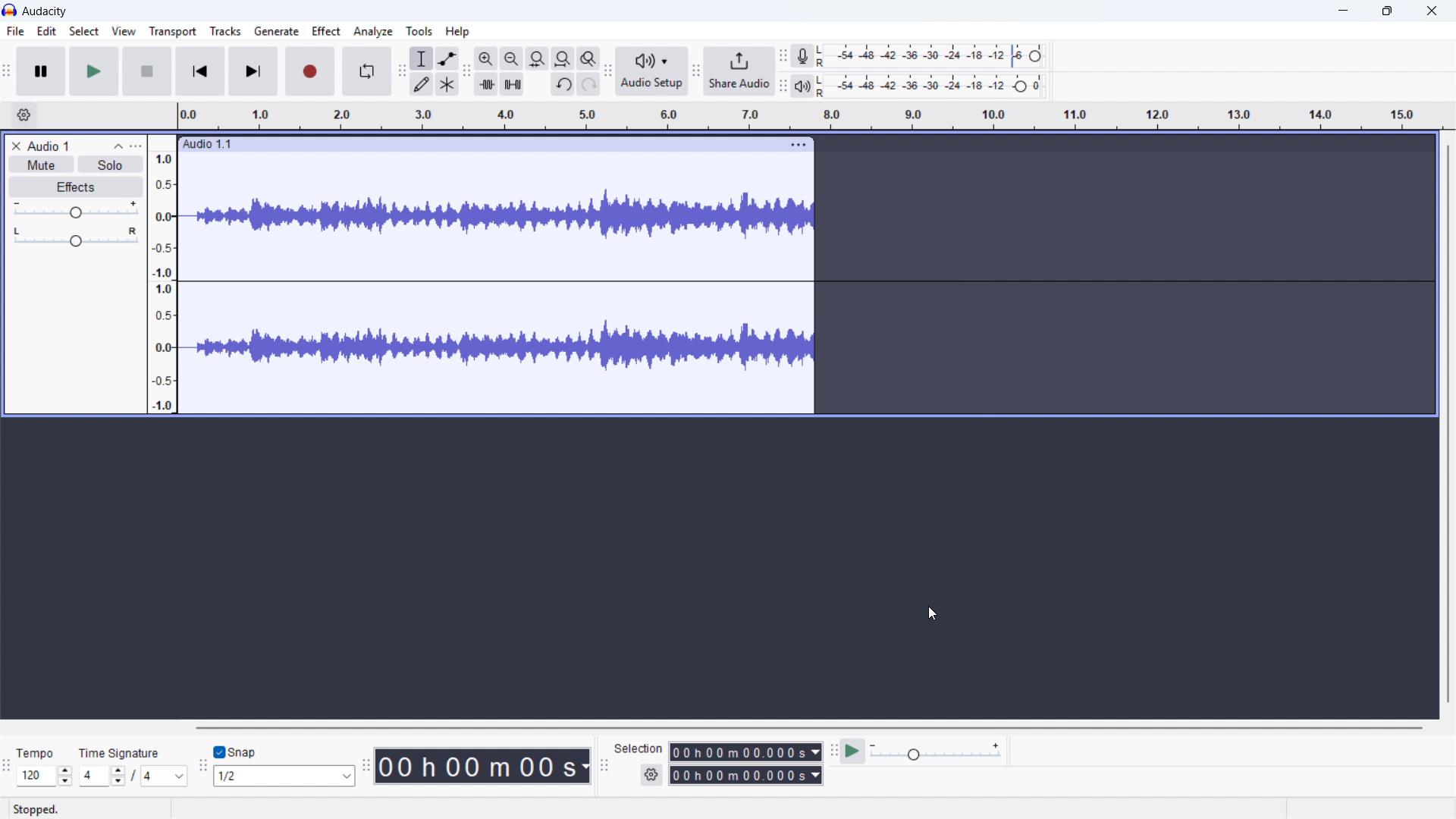 The image size is (1456, 819). Describe the element at coordinates (109, 165) in the screenshot. I see `Solo ` at that location.